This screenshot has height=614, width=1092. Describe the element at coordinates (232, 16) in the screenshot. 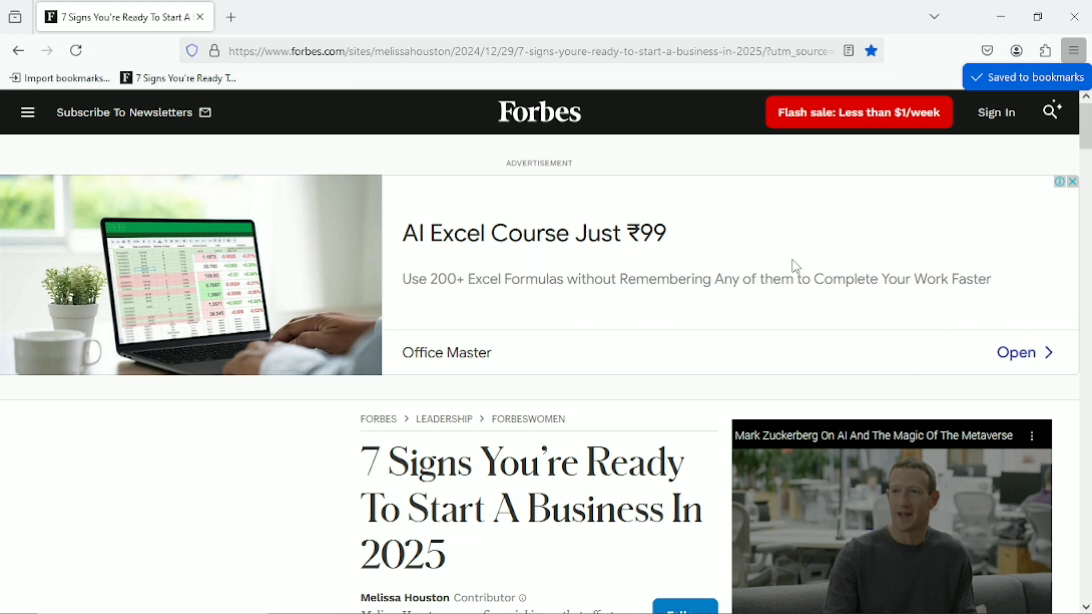

I see `new tab` at that location.